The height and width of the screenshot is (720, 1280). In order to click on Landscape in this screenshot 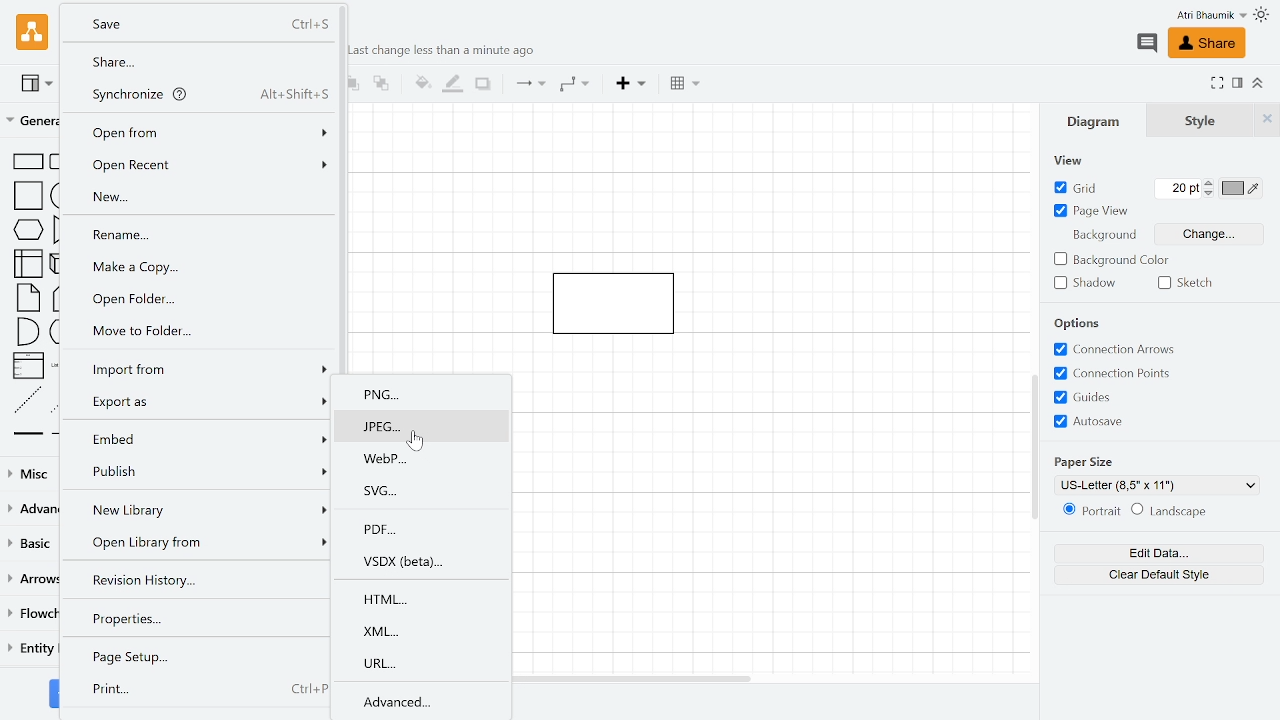, I will do `click(1180, 510)`.